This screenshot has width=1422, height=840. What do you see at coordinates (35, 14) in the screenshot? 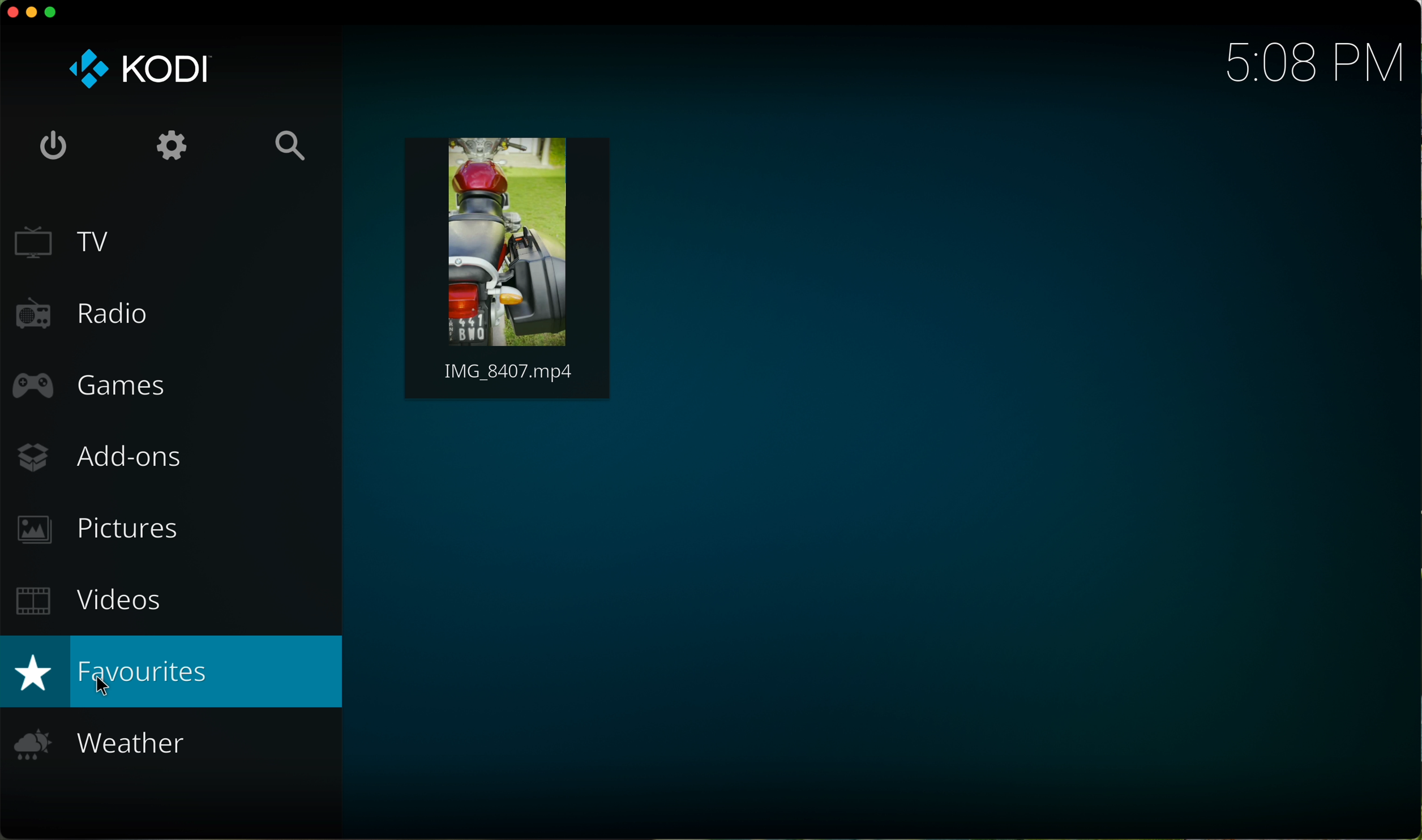
I see `minimize` at bounding box center [35, 14].